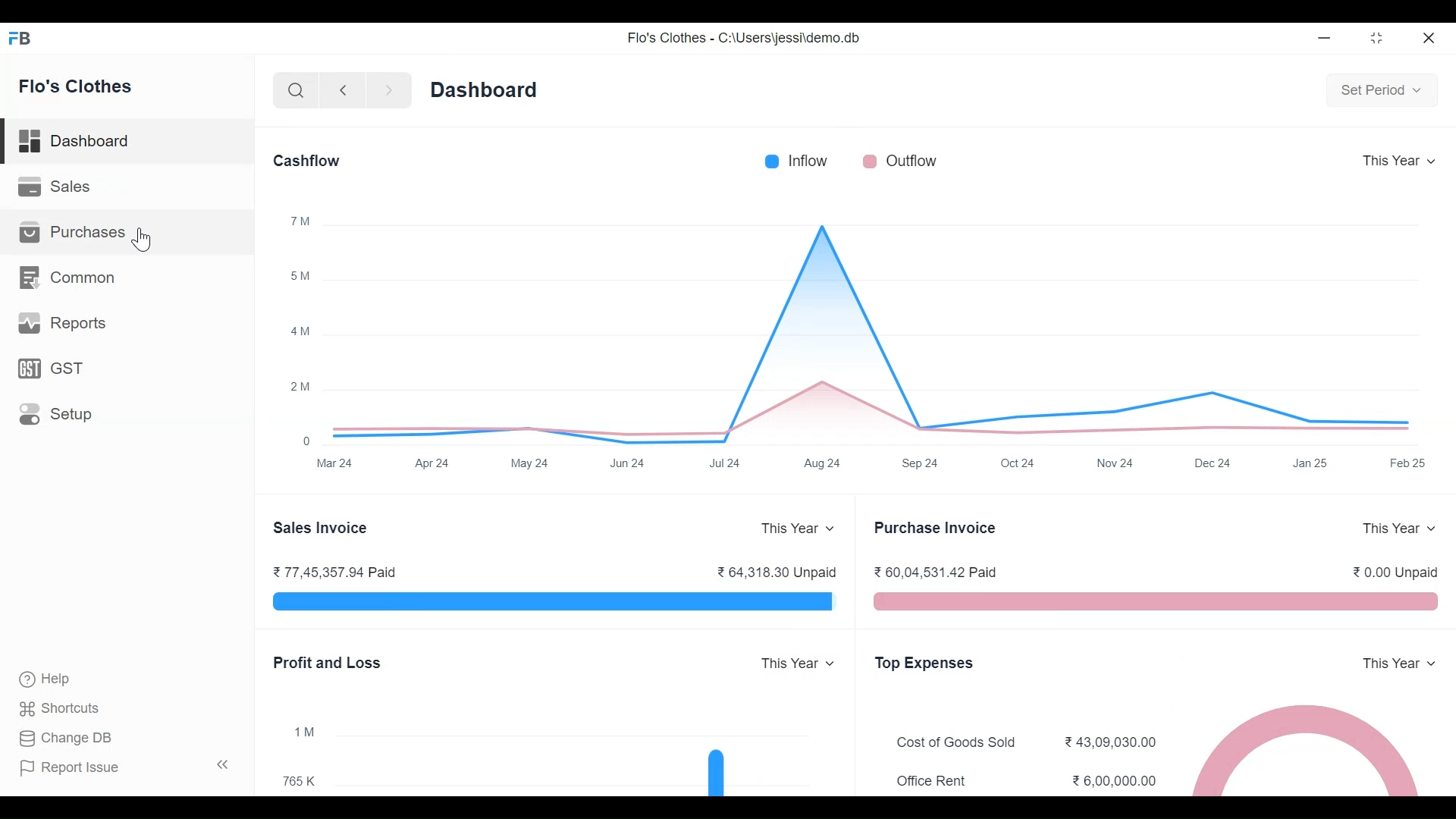  Describe the element at coordinates (435, 462) in the screenshot. I see `Apr24` at that location.